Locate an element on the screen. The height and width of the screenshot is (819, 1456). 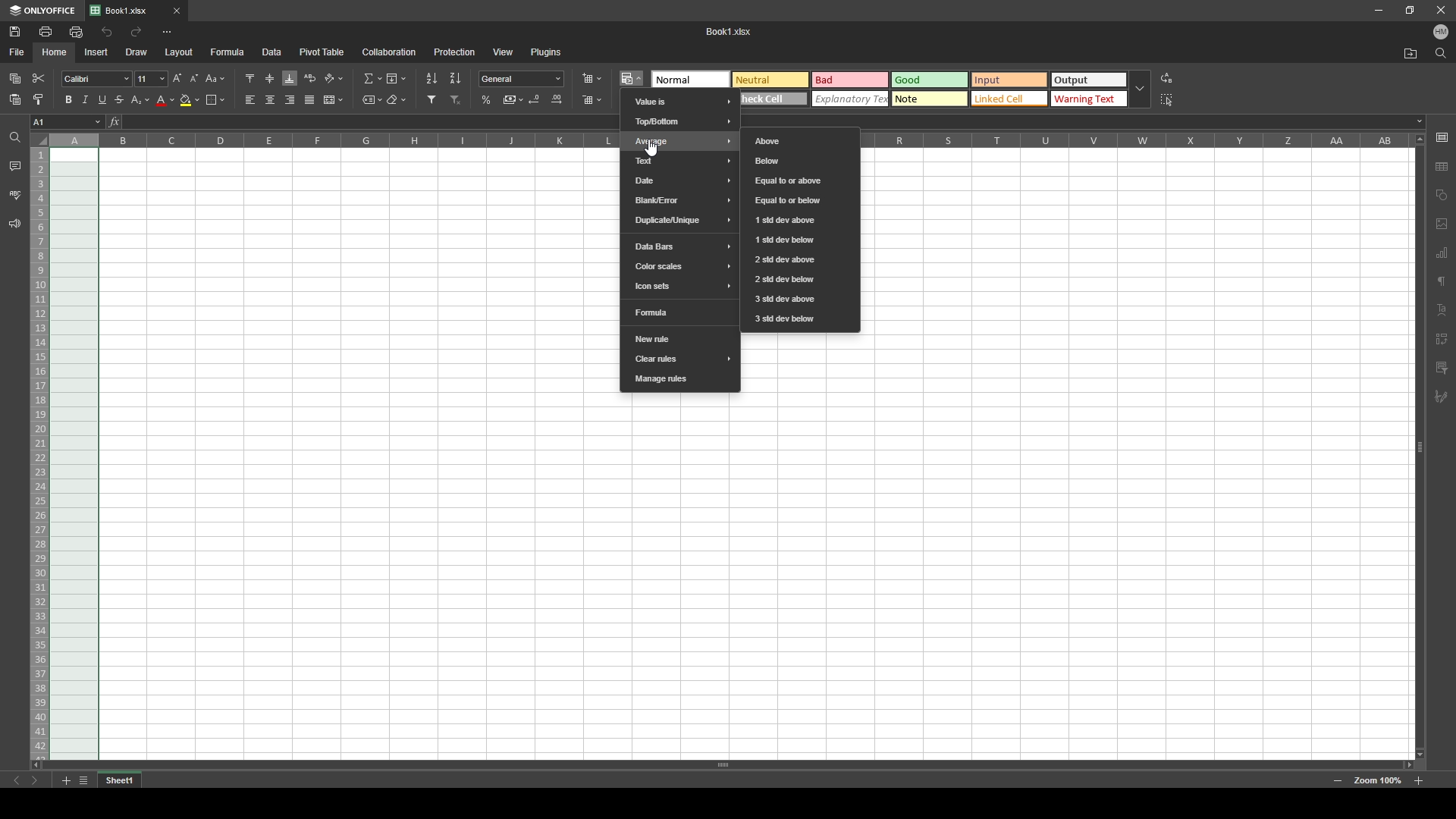
comma style is located at coordinates (513, 99).